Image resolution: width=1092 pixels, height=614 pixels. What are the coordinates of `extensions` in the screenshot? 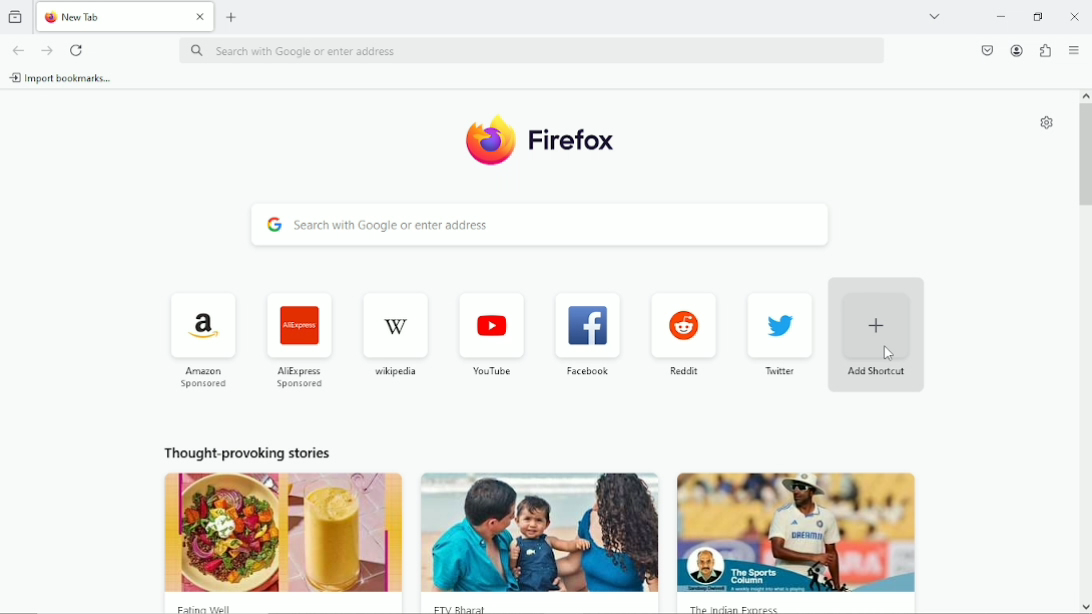 It's located at (1044, 51).